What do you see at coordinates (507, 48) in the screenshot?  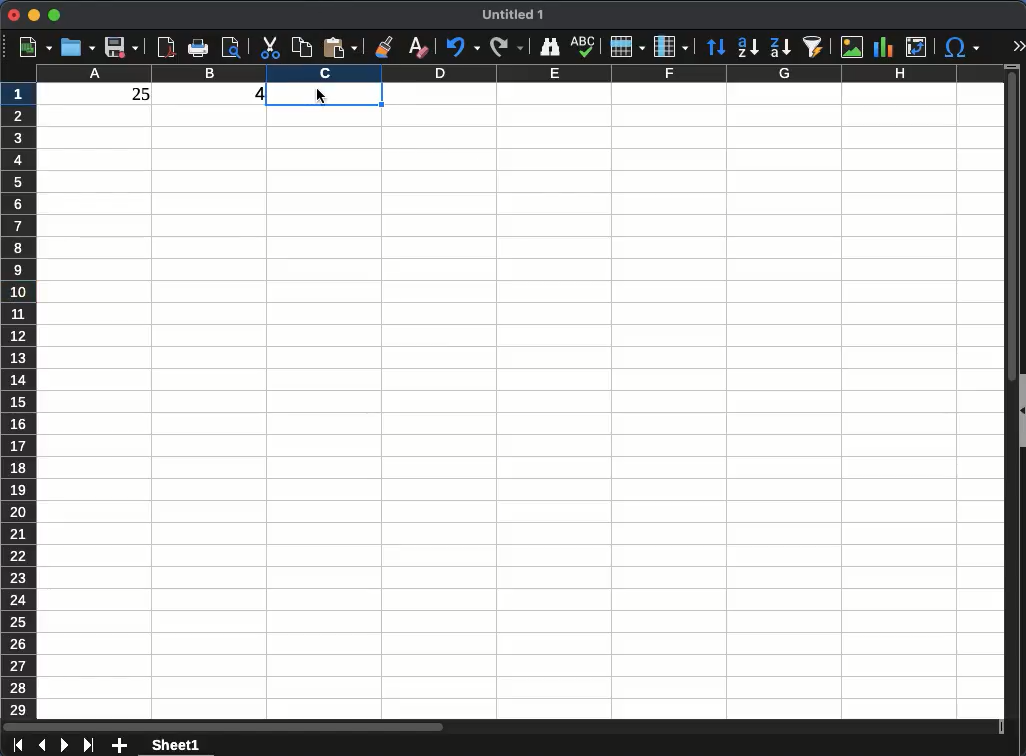 I see `redo` at bounding box center [507, 48].